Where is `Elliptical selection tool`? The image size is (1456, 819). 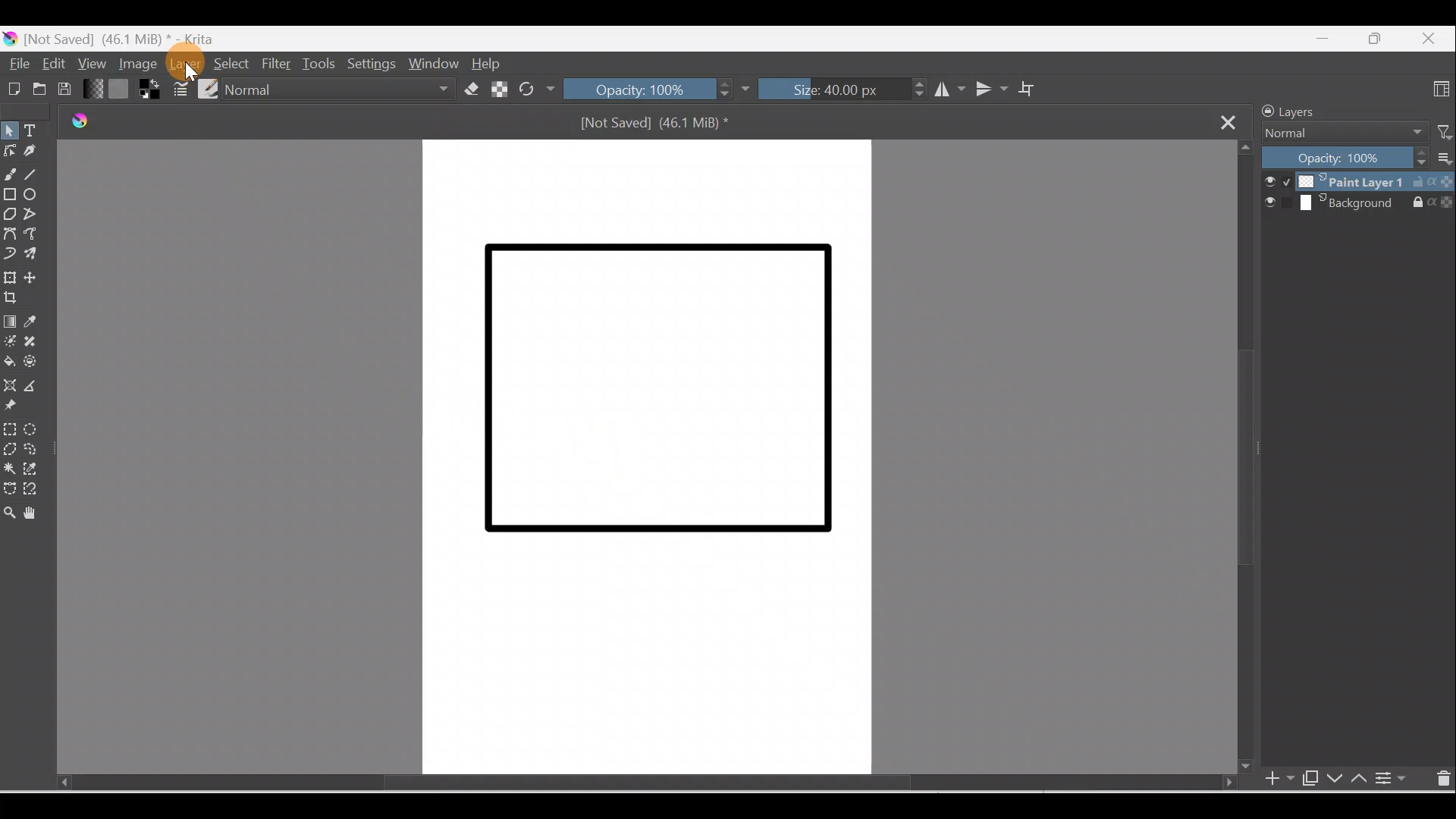 Elliptical selection tool is located at coordinates (34, 429).